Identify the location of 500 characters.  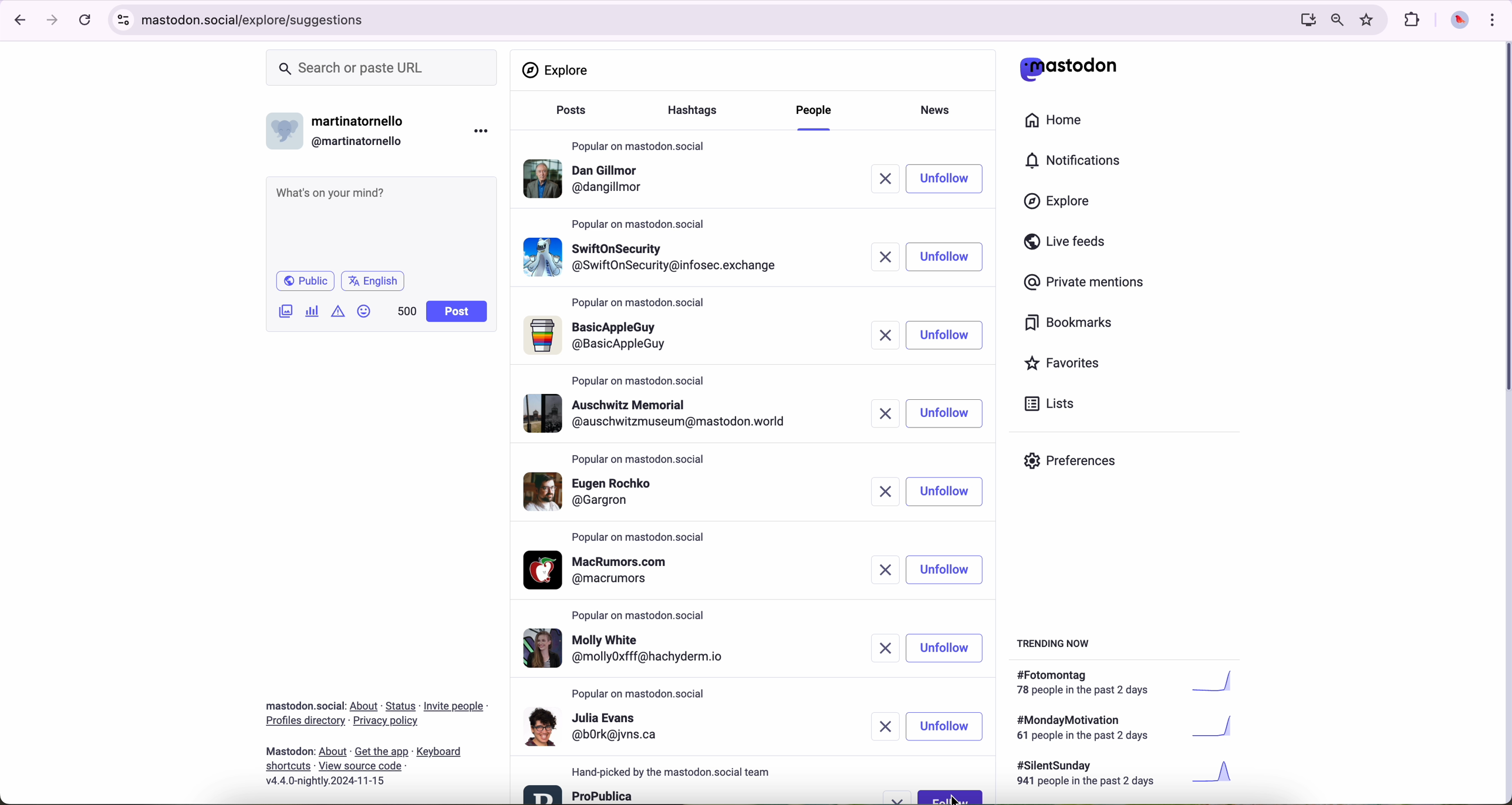
(406, 311).